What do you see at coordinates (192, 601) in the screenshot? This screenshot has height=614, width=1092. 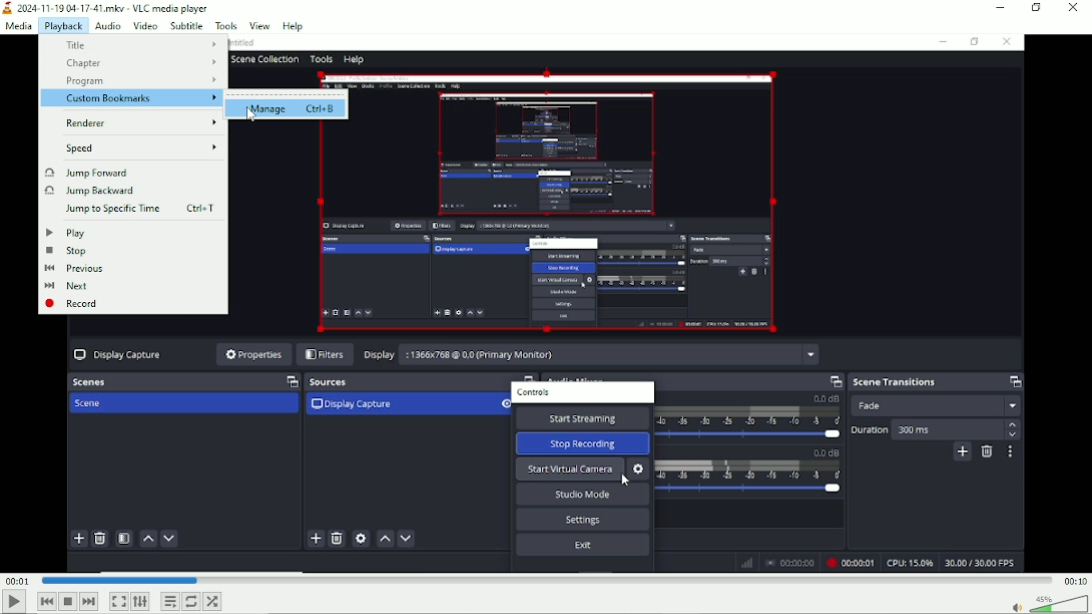 I see `Toggle loop all, loop one and no loop ` at bounding box center [192, 601].